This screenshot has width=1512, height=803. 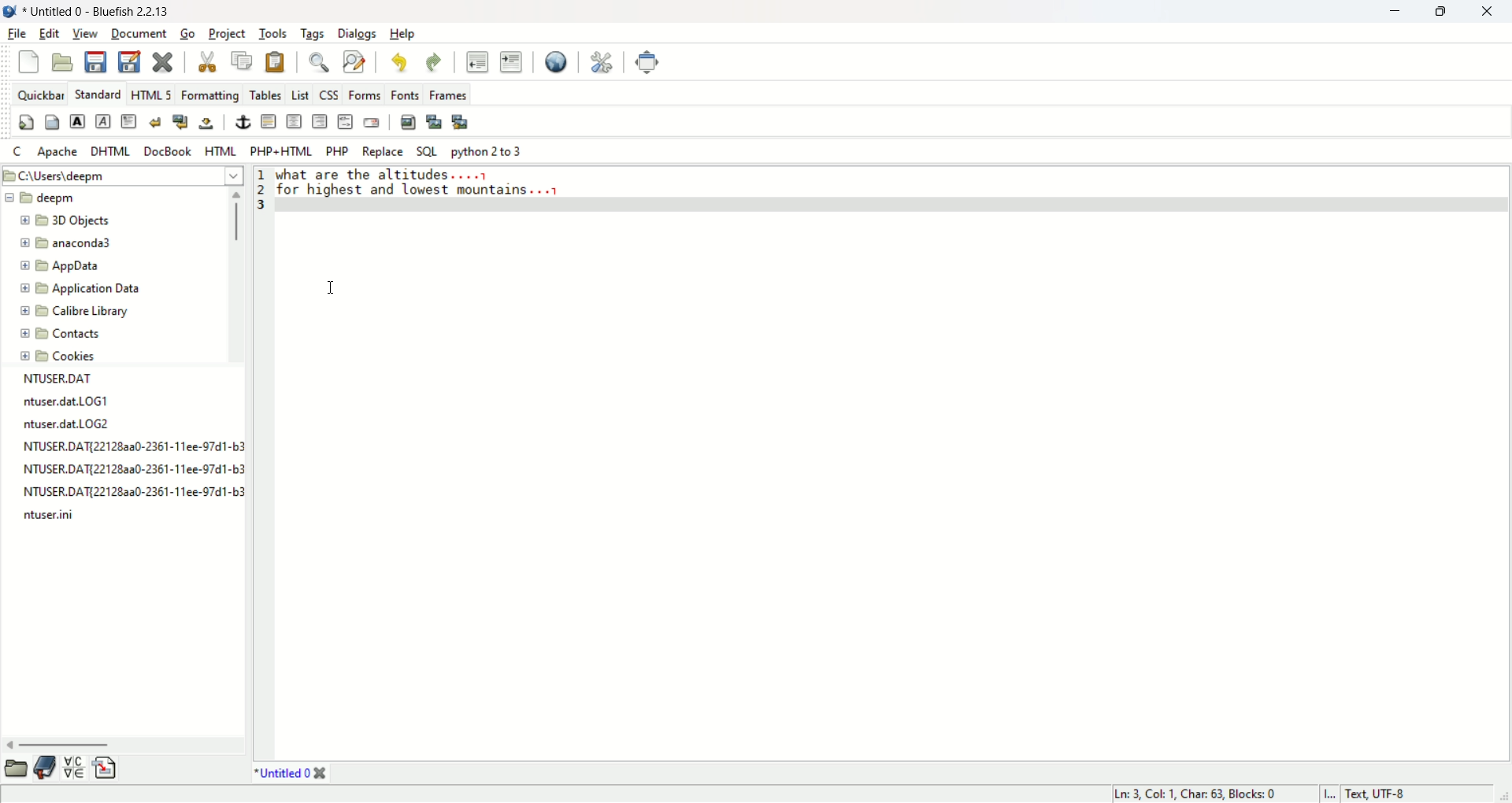 What do you see at coordinates (139, 32) in the screenshot?
I see `document` at bounding box center [139, 32].